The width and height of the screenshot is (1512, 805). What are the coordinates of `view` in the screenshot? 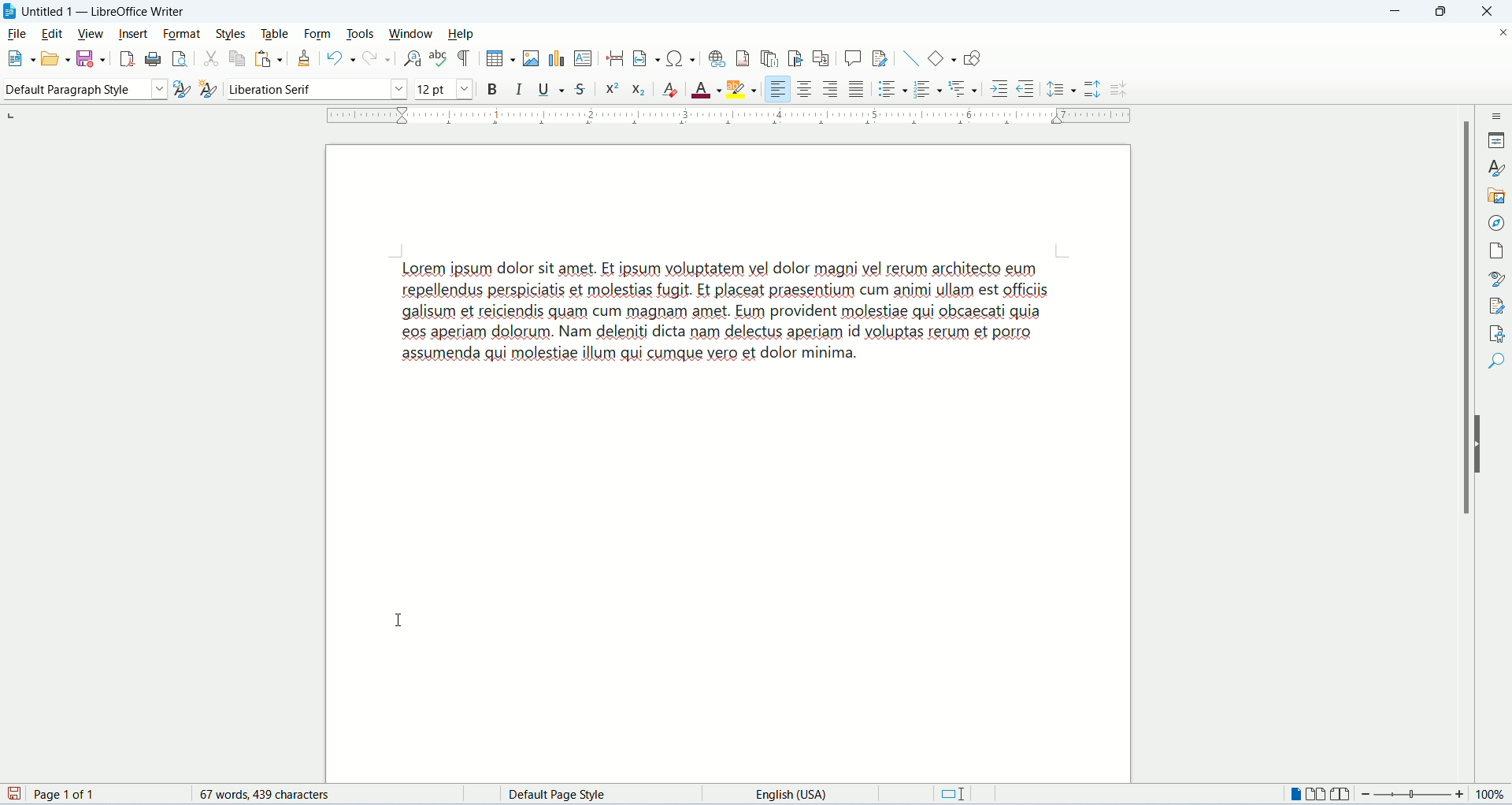 It's located at (89, 32).